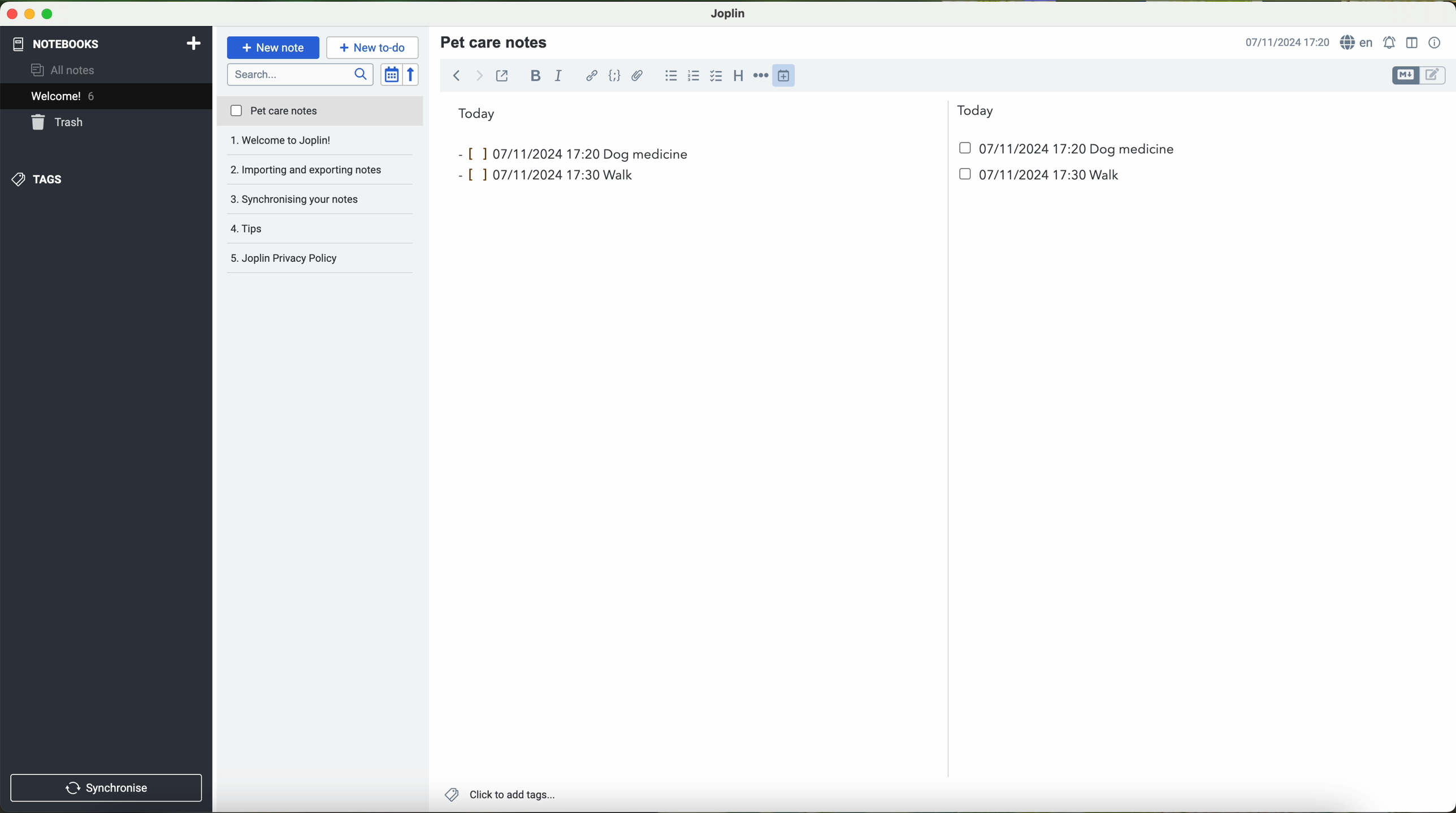 The image size is (1456, 813). What do you see at coordinates (36, 179) in the screenshot?
I see `tags` at bounding box center [36, 179].